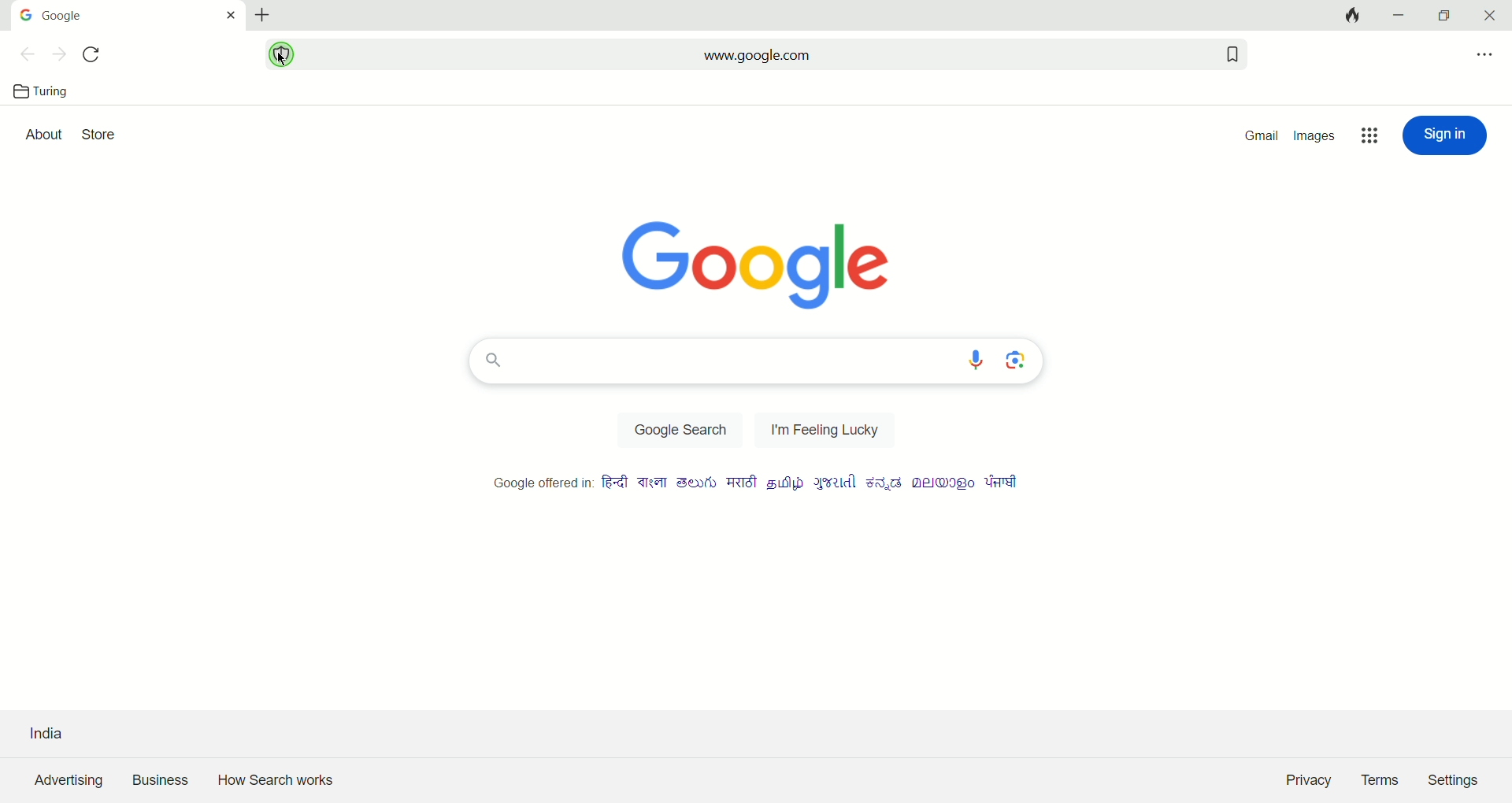  I want to click on cursor, so click(284, 60).